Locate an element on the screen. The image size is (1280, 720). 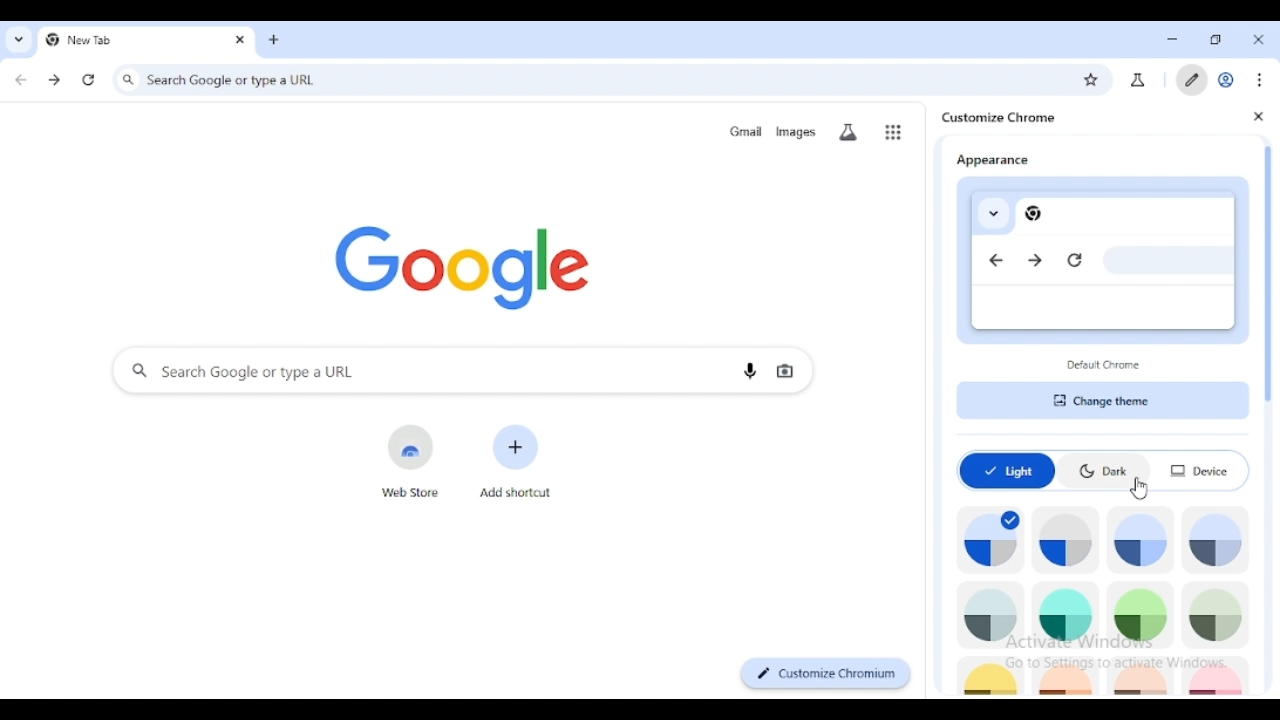
viridian is located at coordinates (1215, 615).